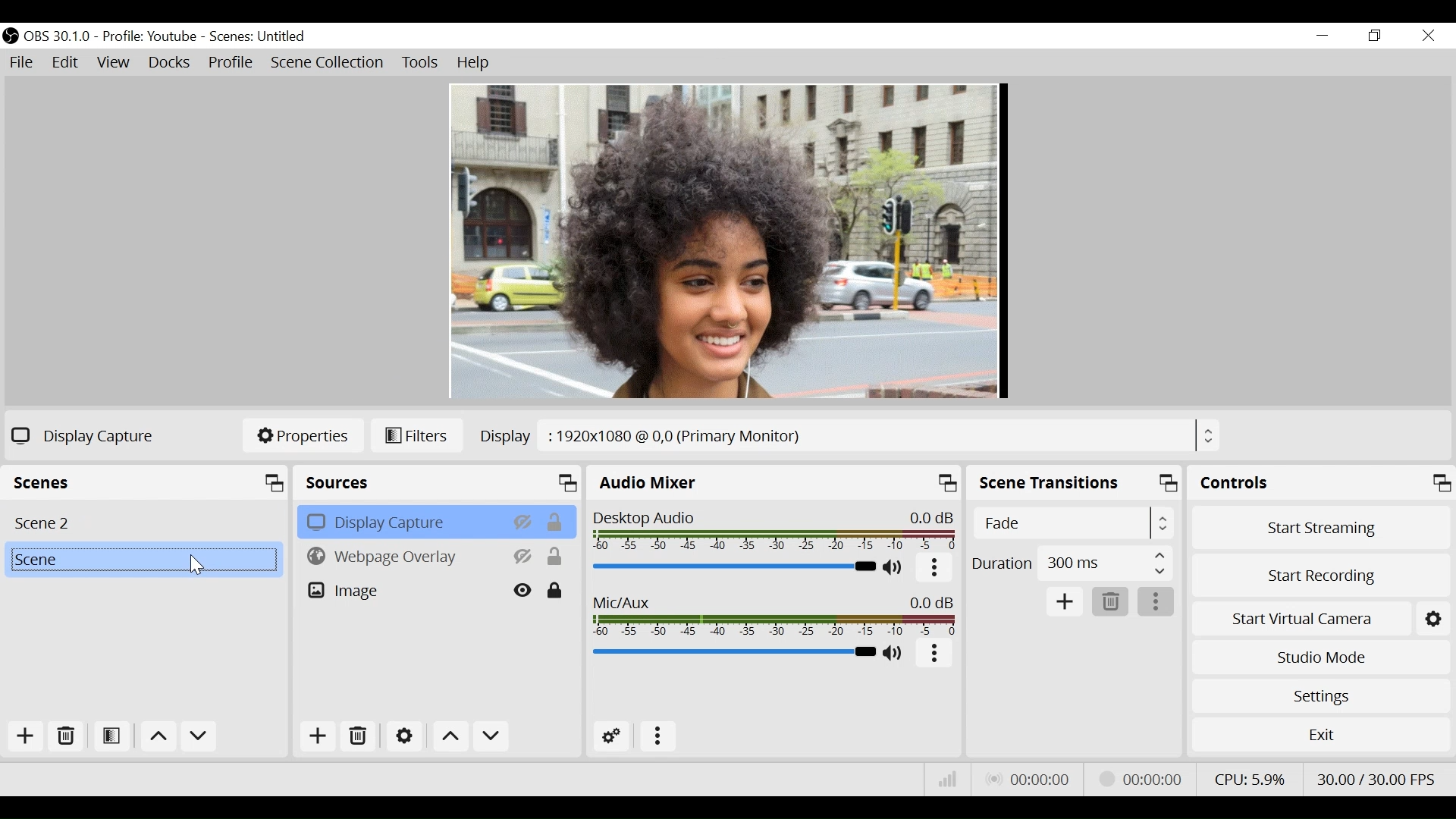 This screenshot has height=819, width=1456. Describe the element at coordinates (1319, 695) in the screenshot. I see `Settings` at that location.